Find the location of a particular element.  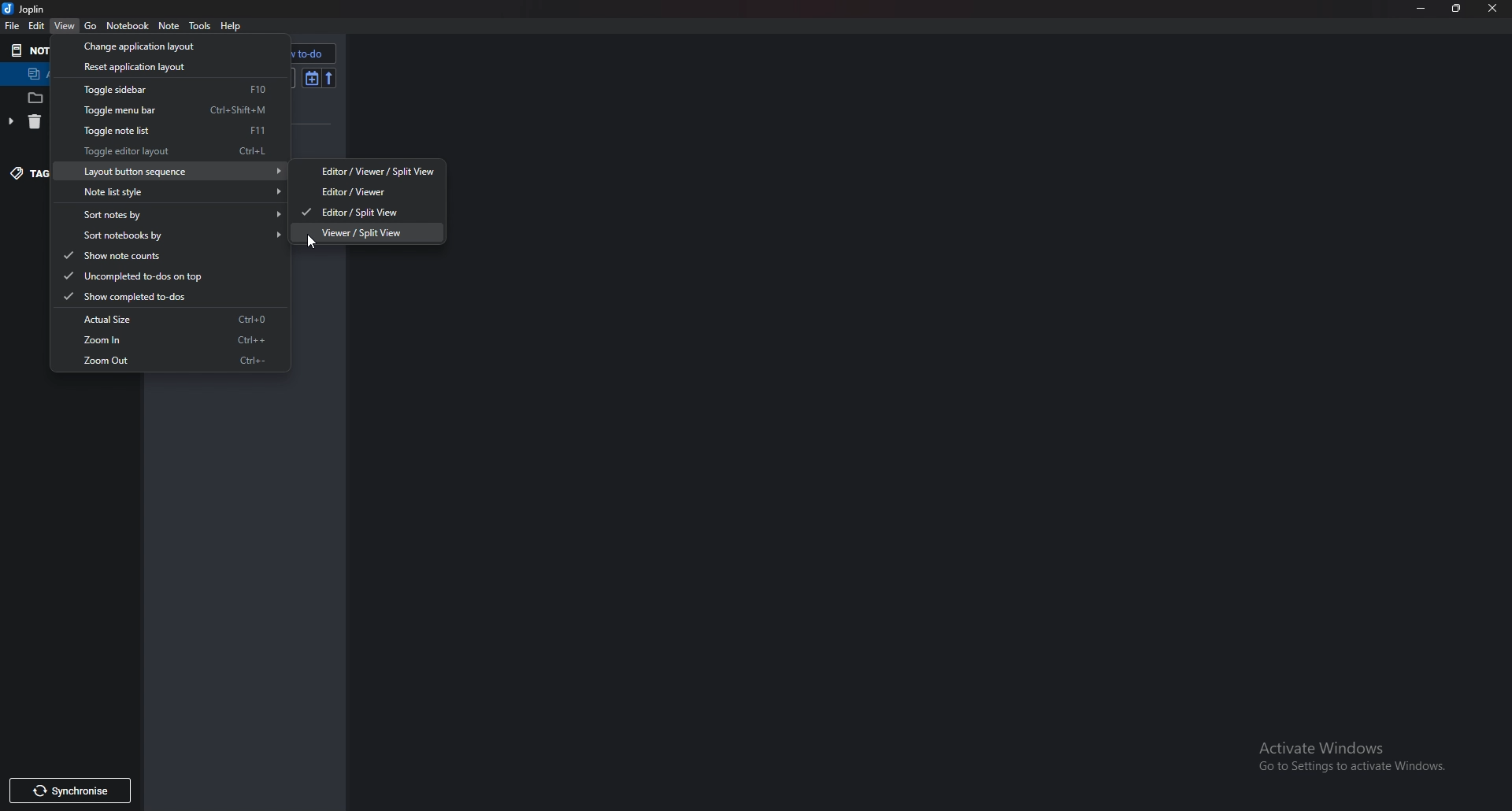

cursor is located at coordinates (309, 243).